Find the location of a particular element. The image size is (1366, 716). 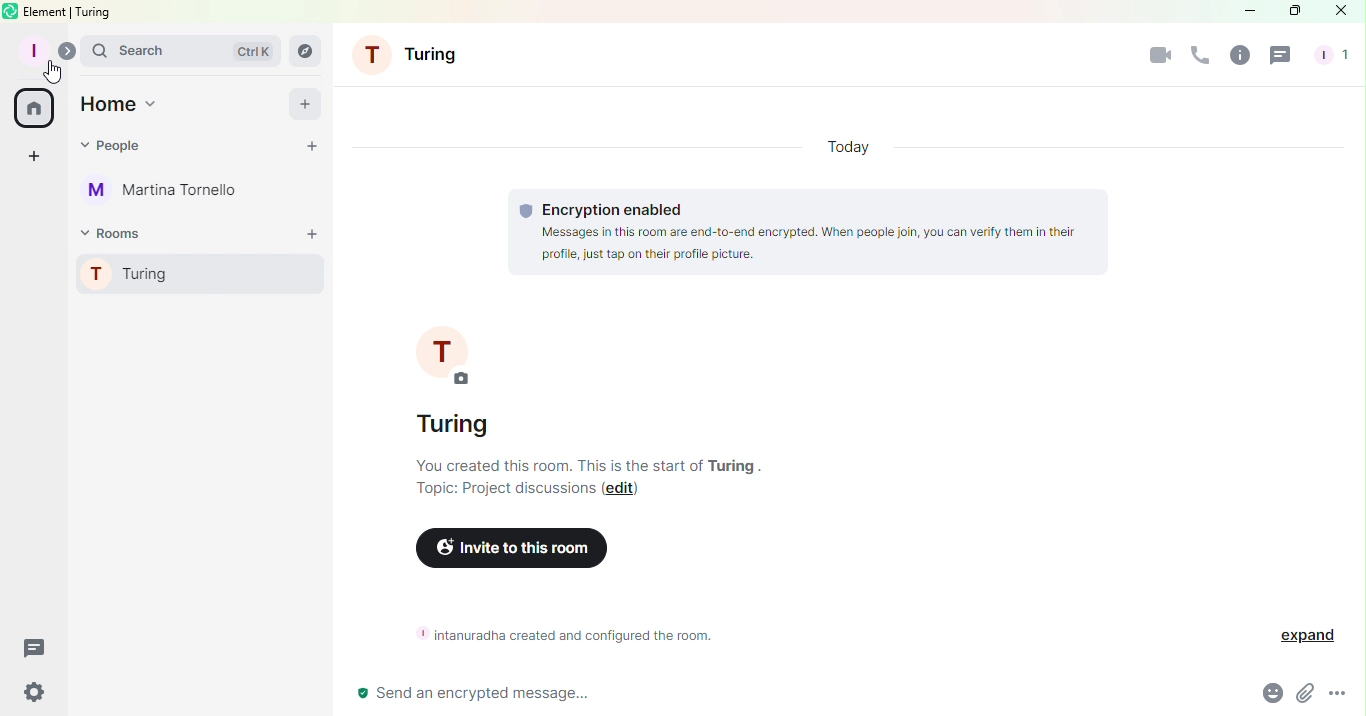

Cursor is located at coordinates (54, 74).